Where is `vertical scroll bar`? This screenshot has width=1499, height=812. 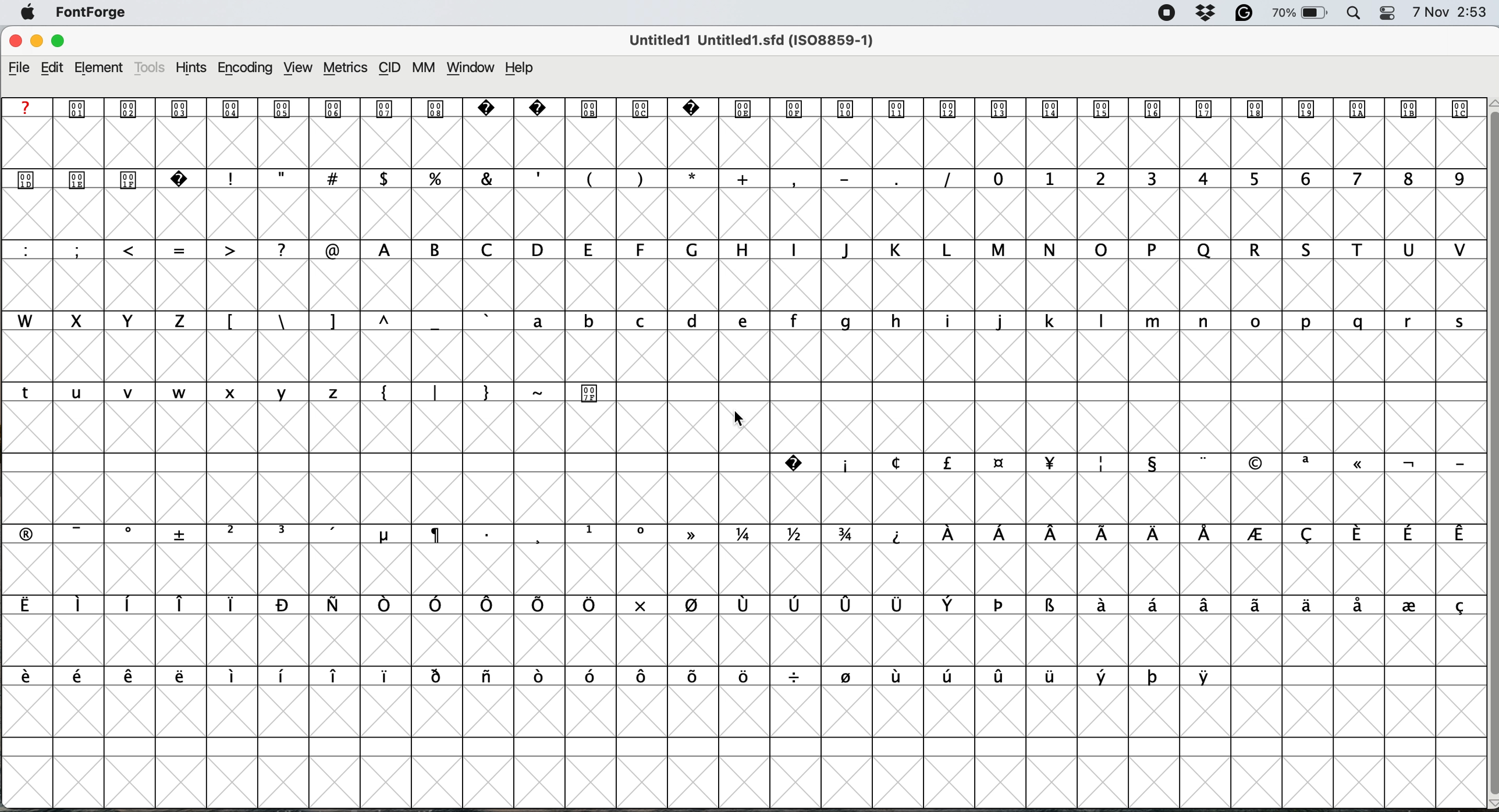
vertical scroll bar is located at coordinates (1486, 450).